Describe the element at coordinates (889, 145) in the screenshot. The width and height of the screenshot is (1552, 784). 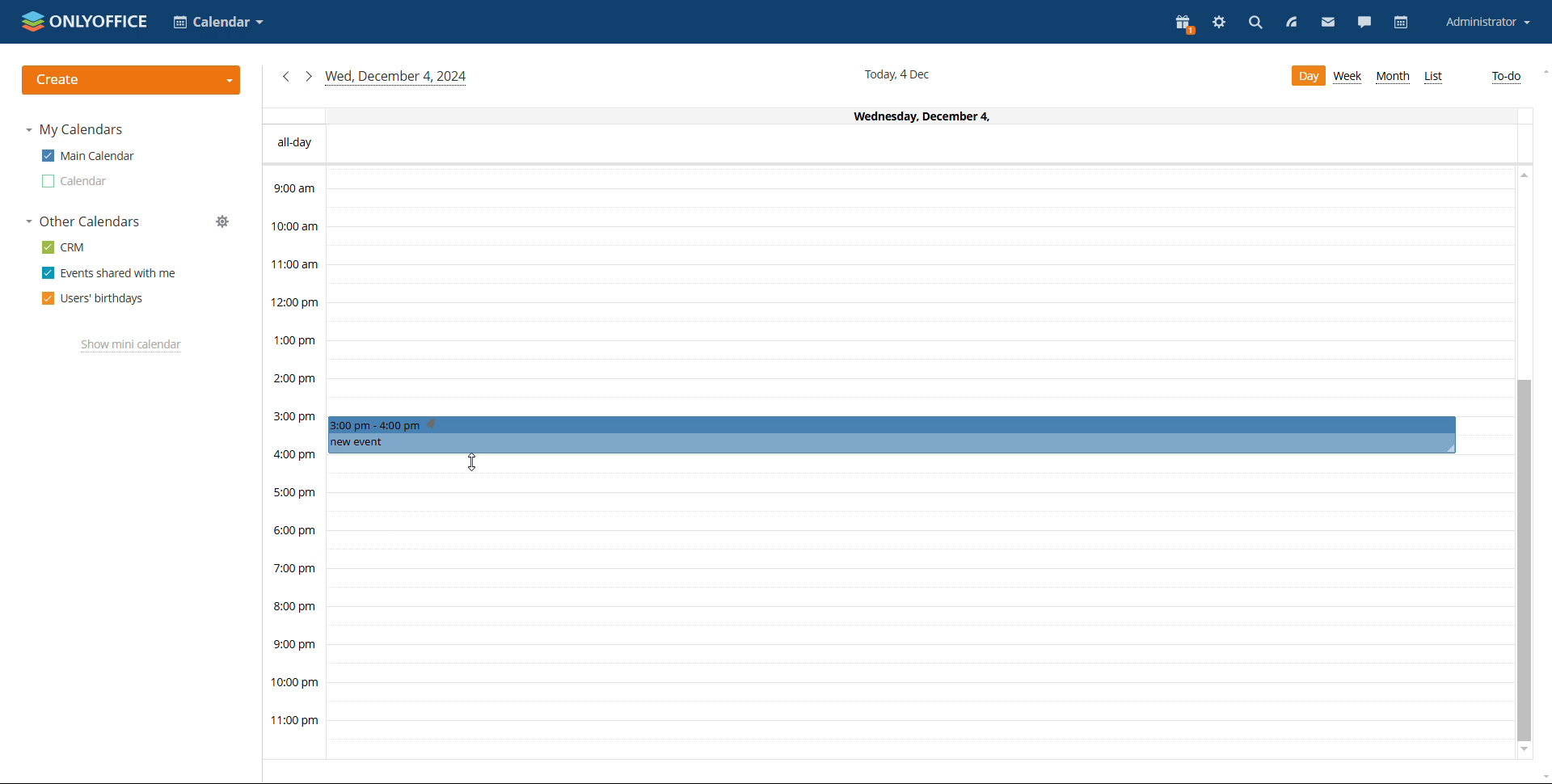
I see `all-day events` at that location.